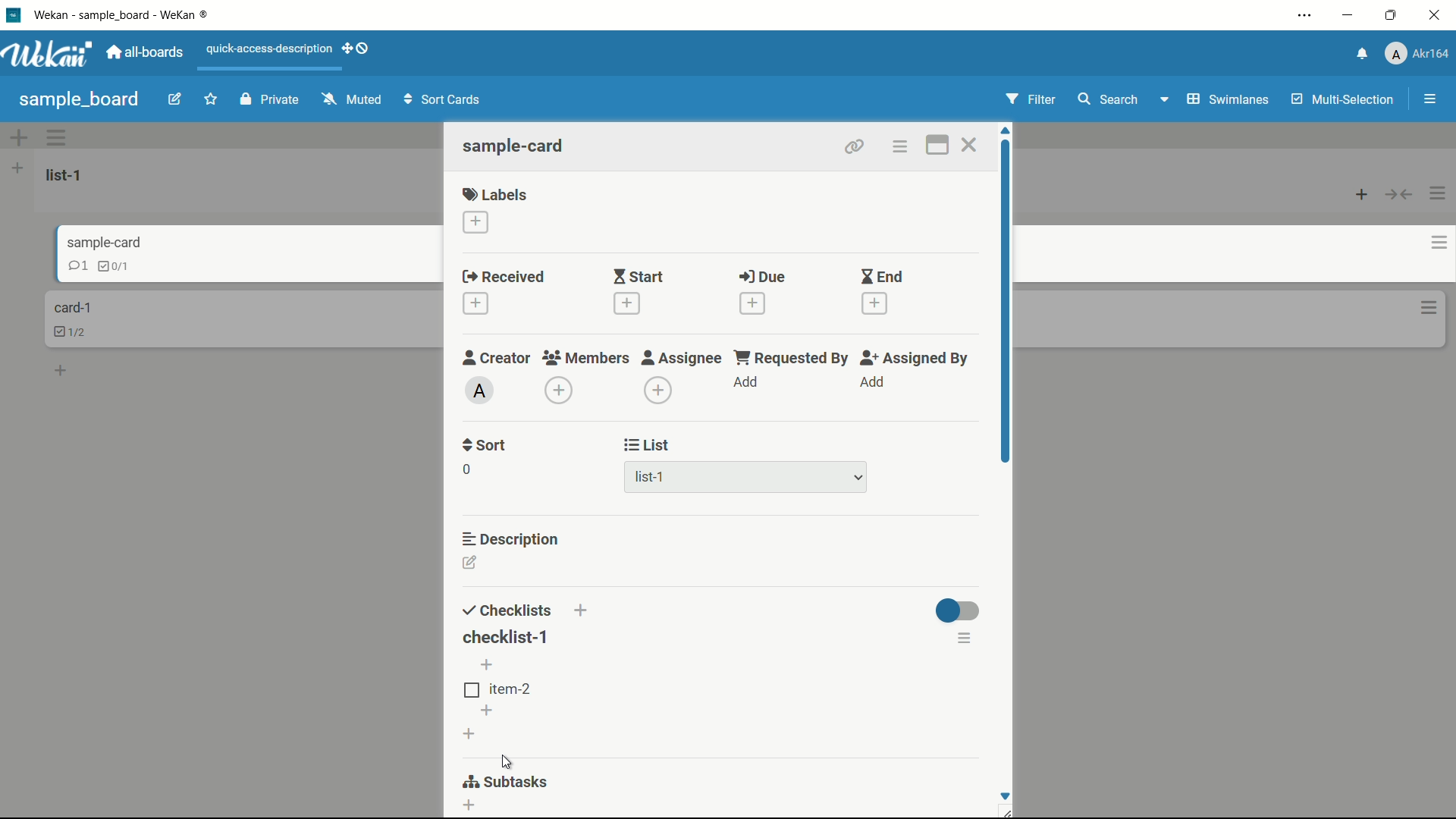 The width and height of the screenshot is (1456, 819). What do you see at coordinates (1439, 193) in the screenshot?
I see `list actions` at bounding box center [1439, 193].